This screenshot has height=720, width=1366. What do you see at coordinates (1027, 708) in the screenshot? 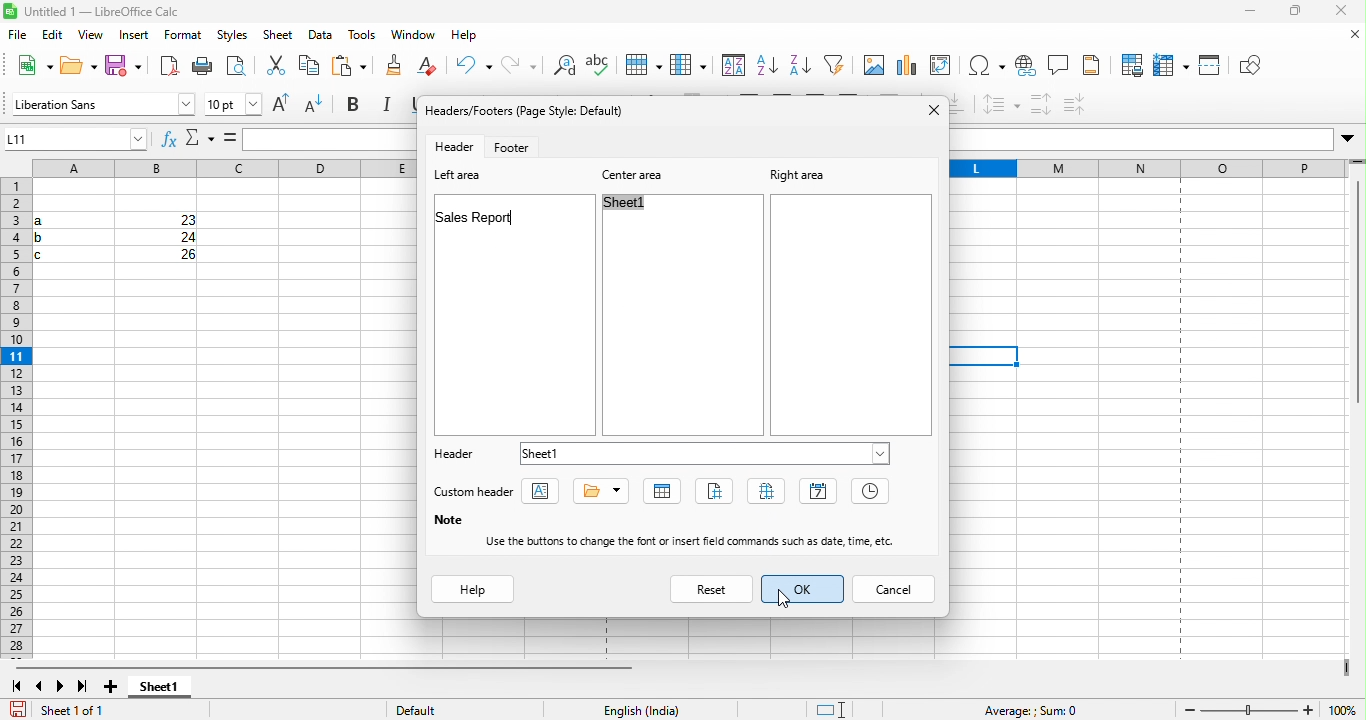
I see `average sum=0` at bounding box center [1027, 708].